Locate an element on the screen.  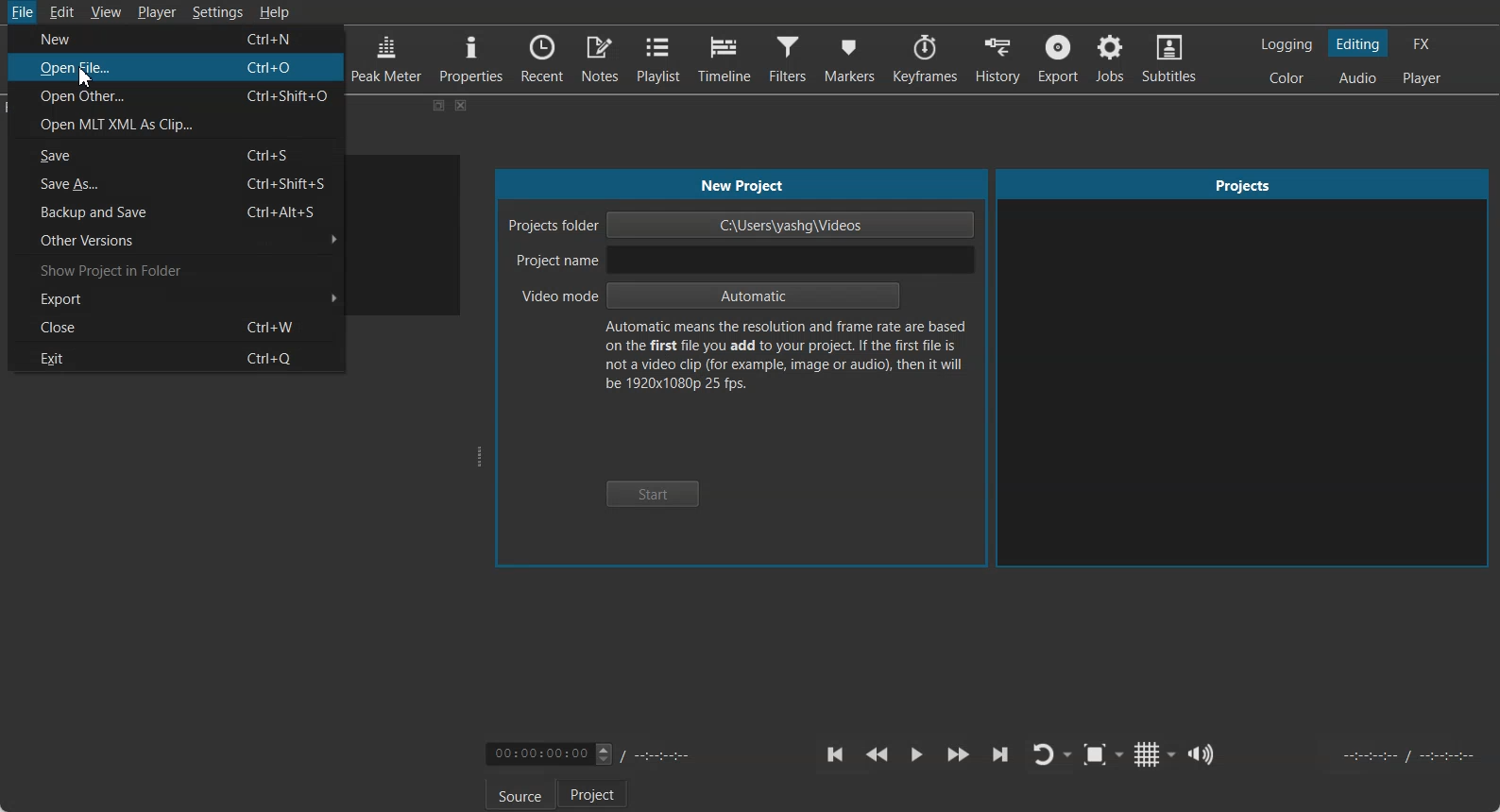
Show the volume control is located at coordinates (1202, 754).